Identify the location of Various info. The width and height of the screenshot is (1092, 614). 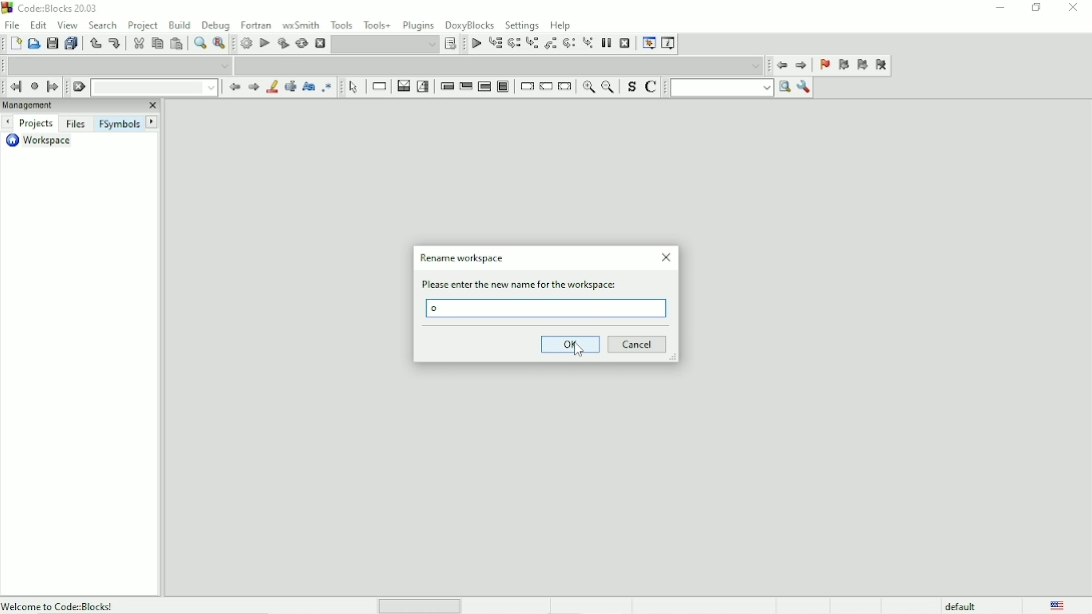
(668, 43).